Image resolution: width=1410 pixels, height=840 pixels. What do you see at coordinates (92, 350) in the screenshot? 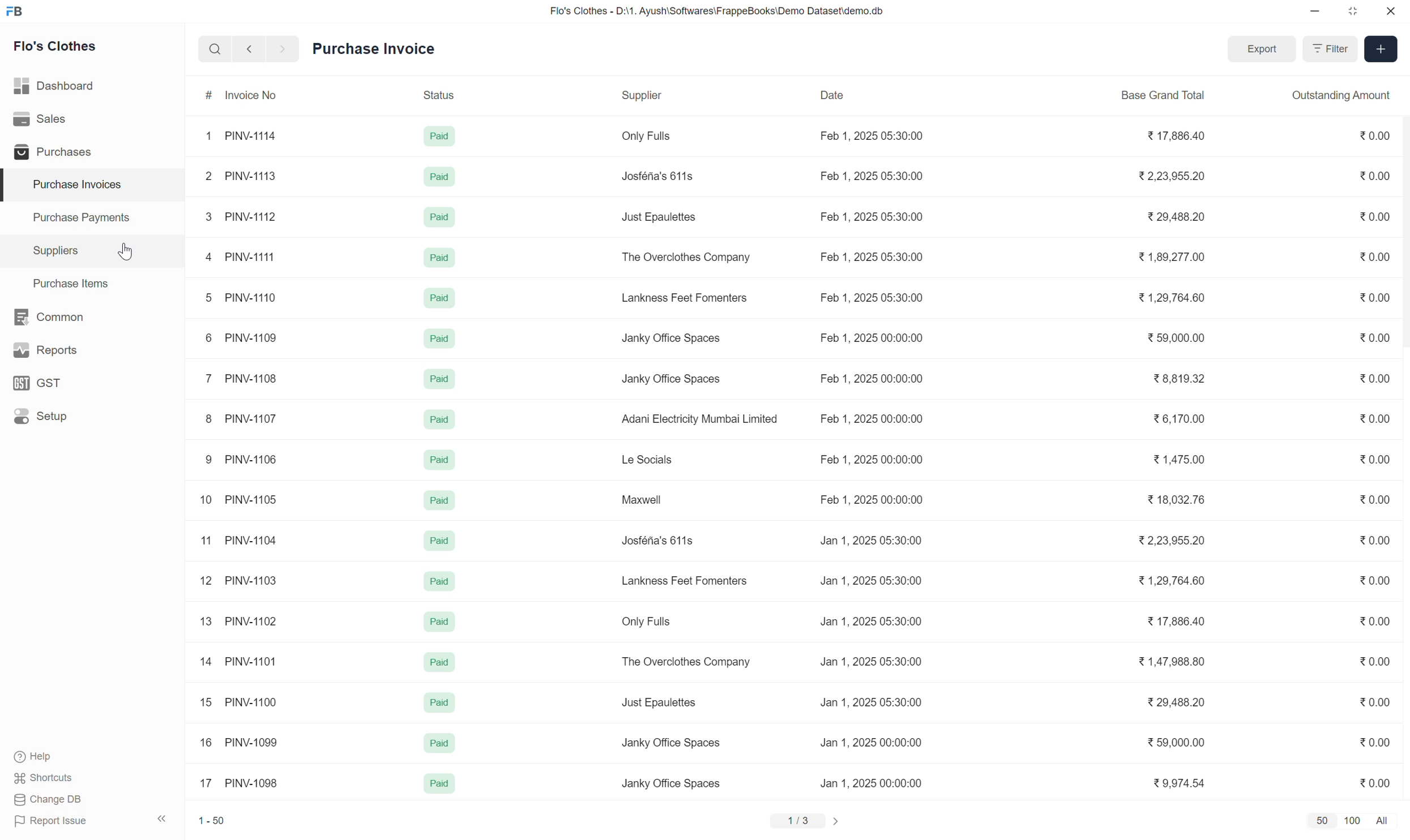
I see `Reports` at bounding box center [92, 350].